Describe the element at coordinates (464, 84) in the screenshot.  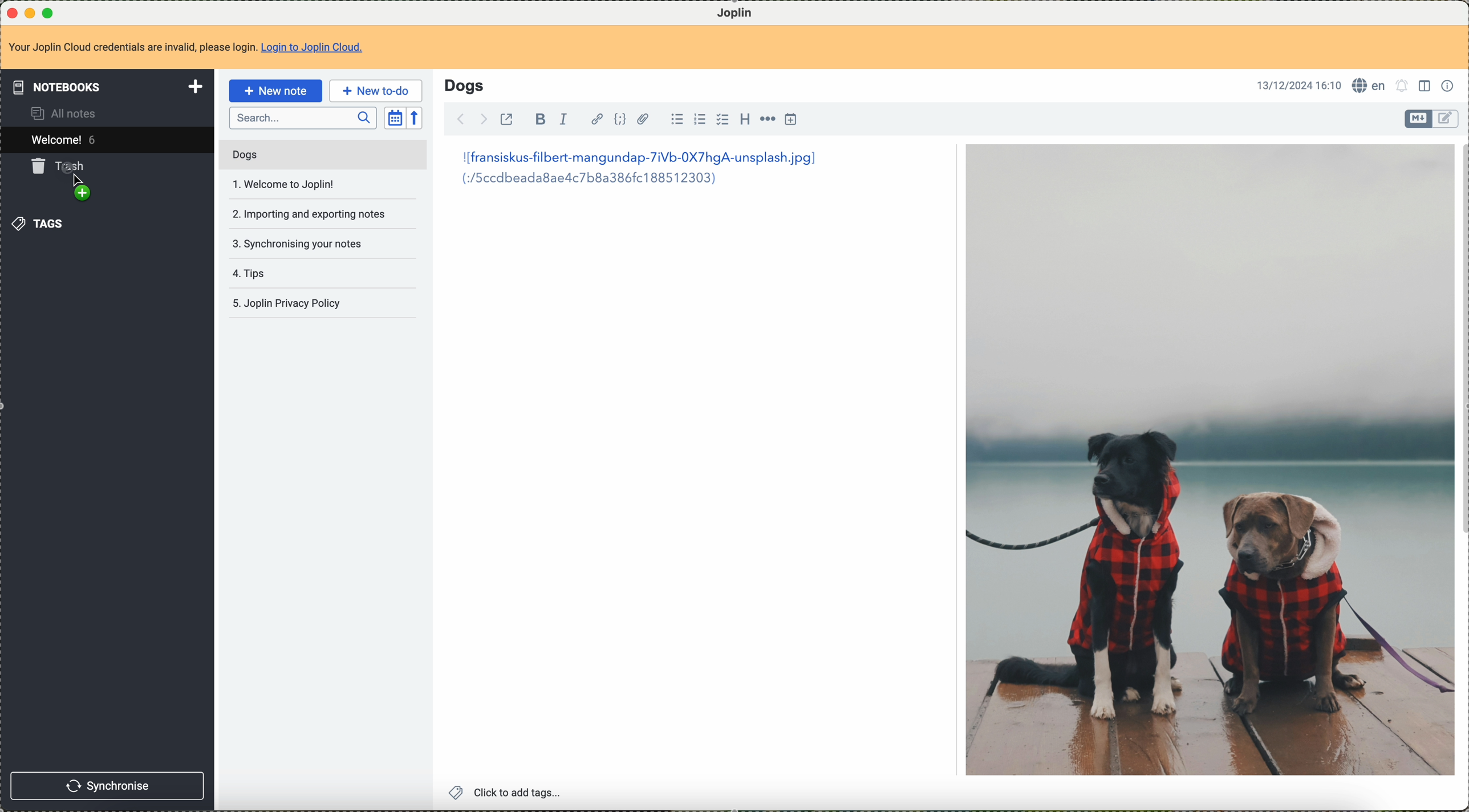
I see `Dogs` at that location.